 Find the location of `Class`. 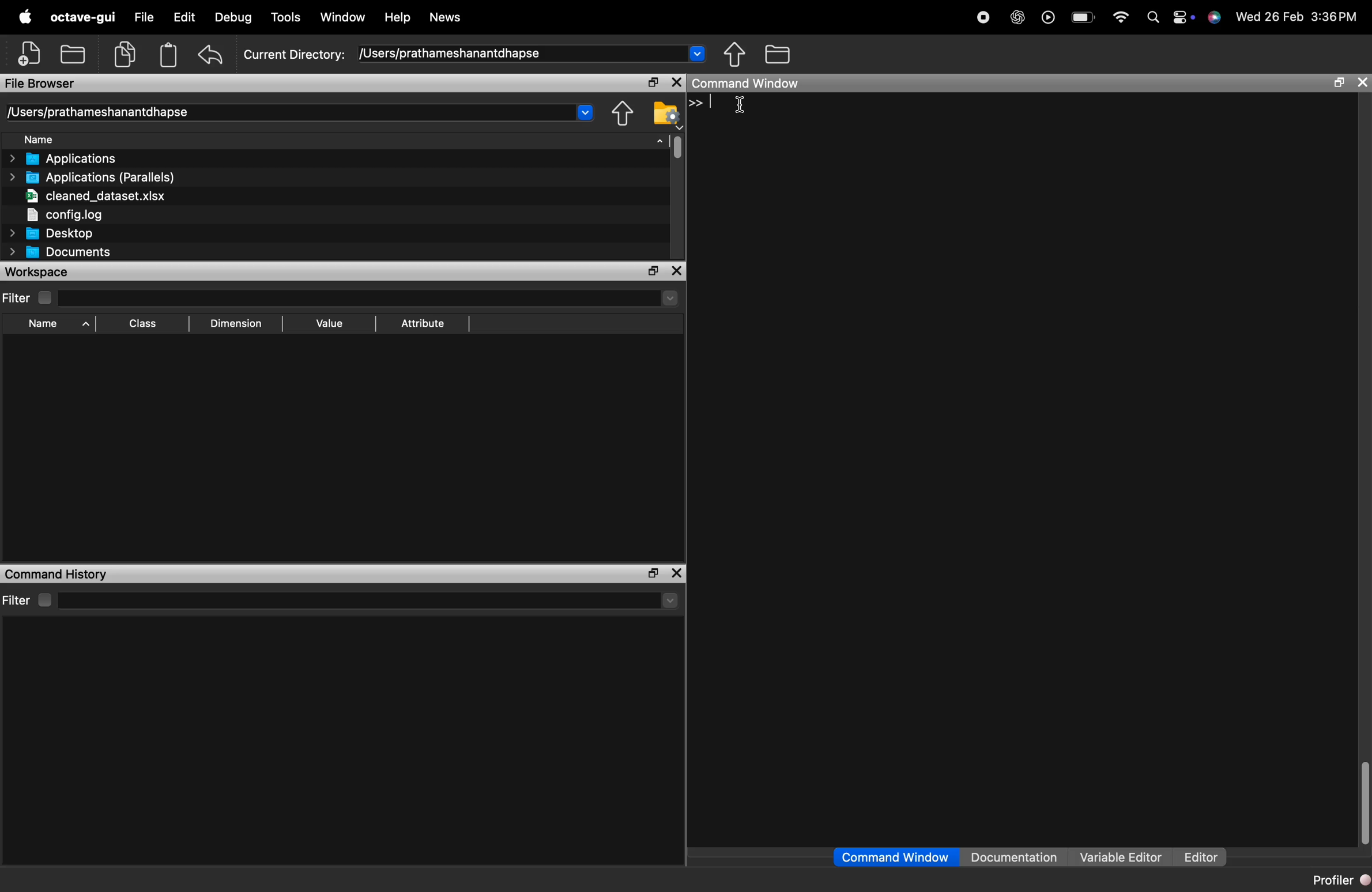

Class is located at coordinates (148, 326).